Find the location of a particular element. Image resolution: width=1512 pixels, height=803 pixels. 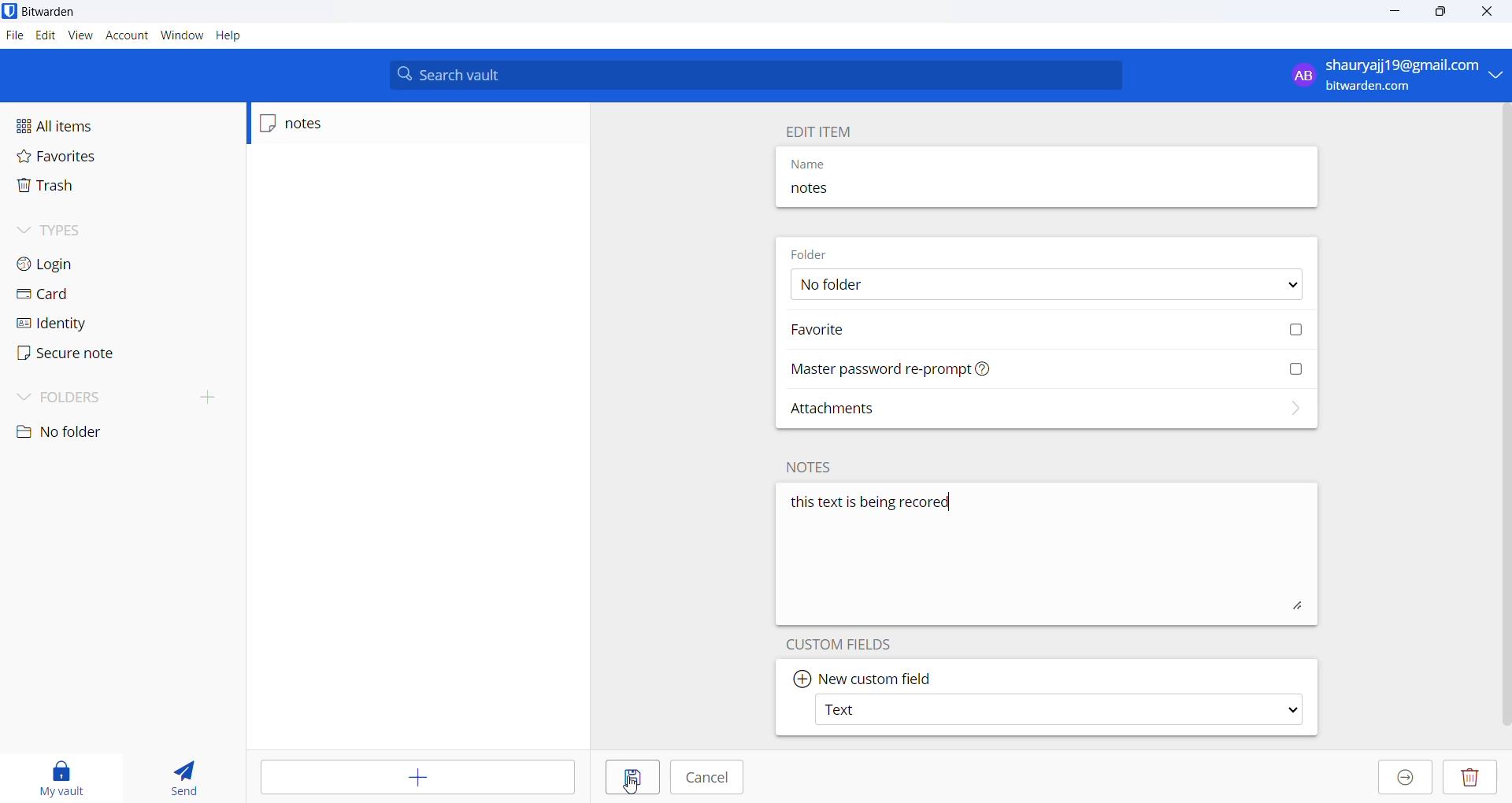

account is located at coordinates (124, 35).